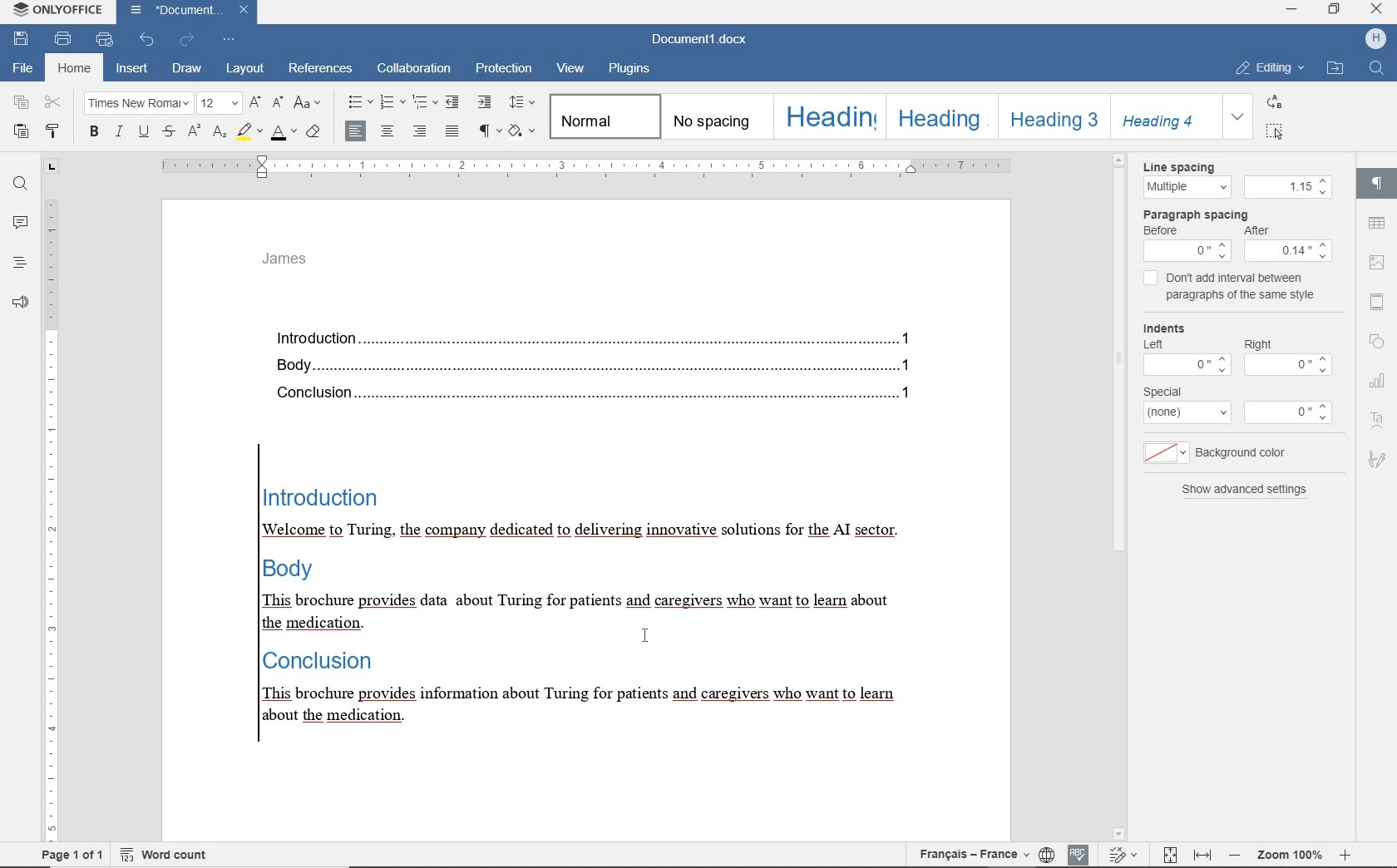  I want to click on save, so click(23, 40).